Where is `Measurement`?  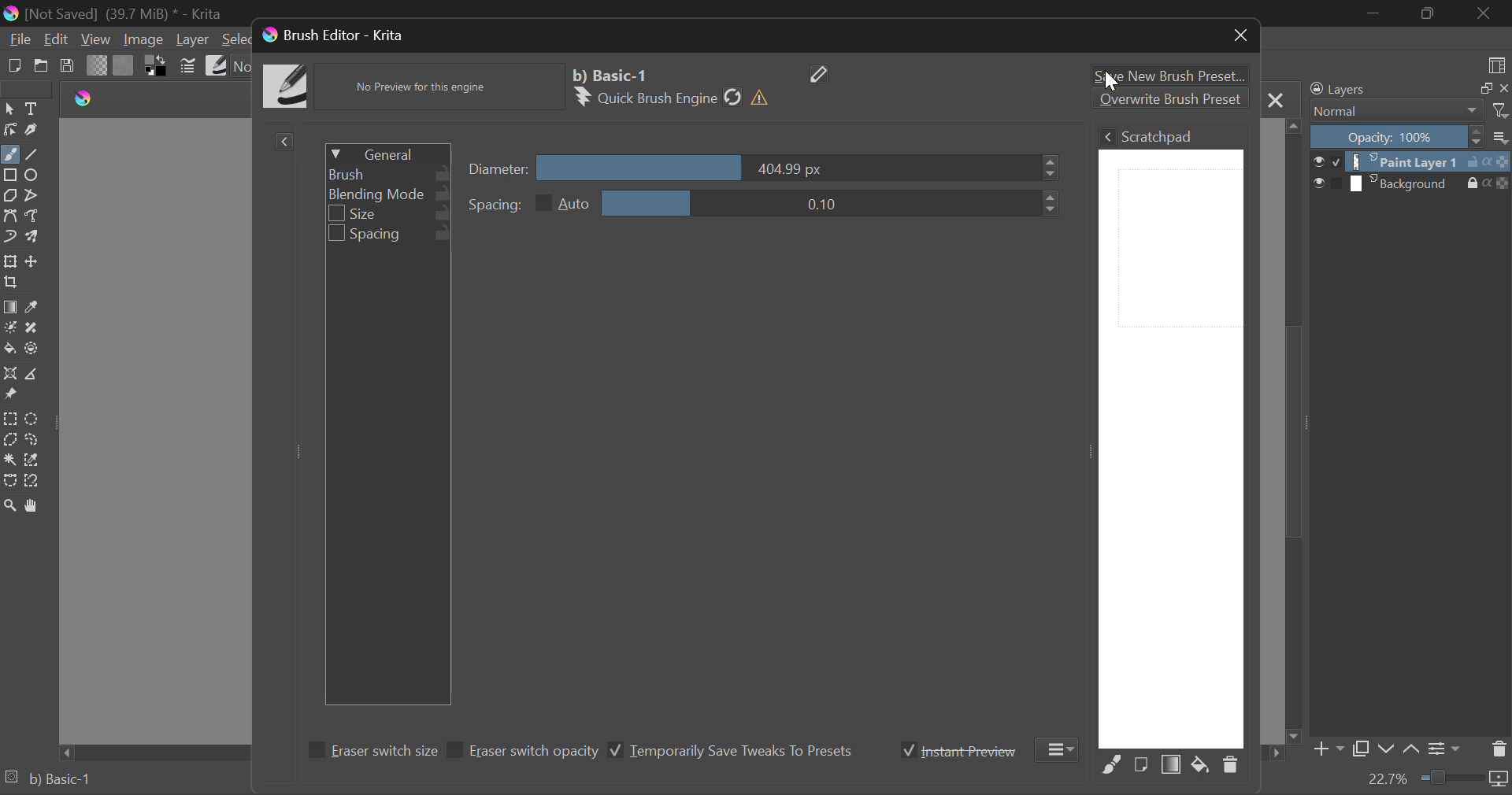 Measurement is located at coordinates (34, 373).